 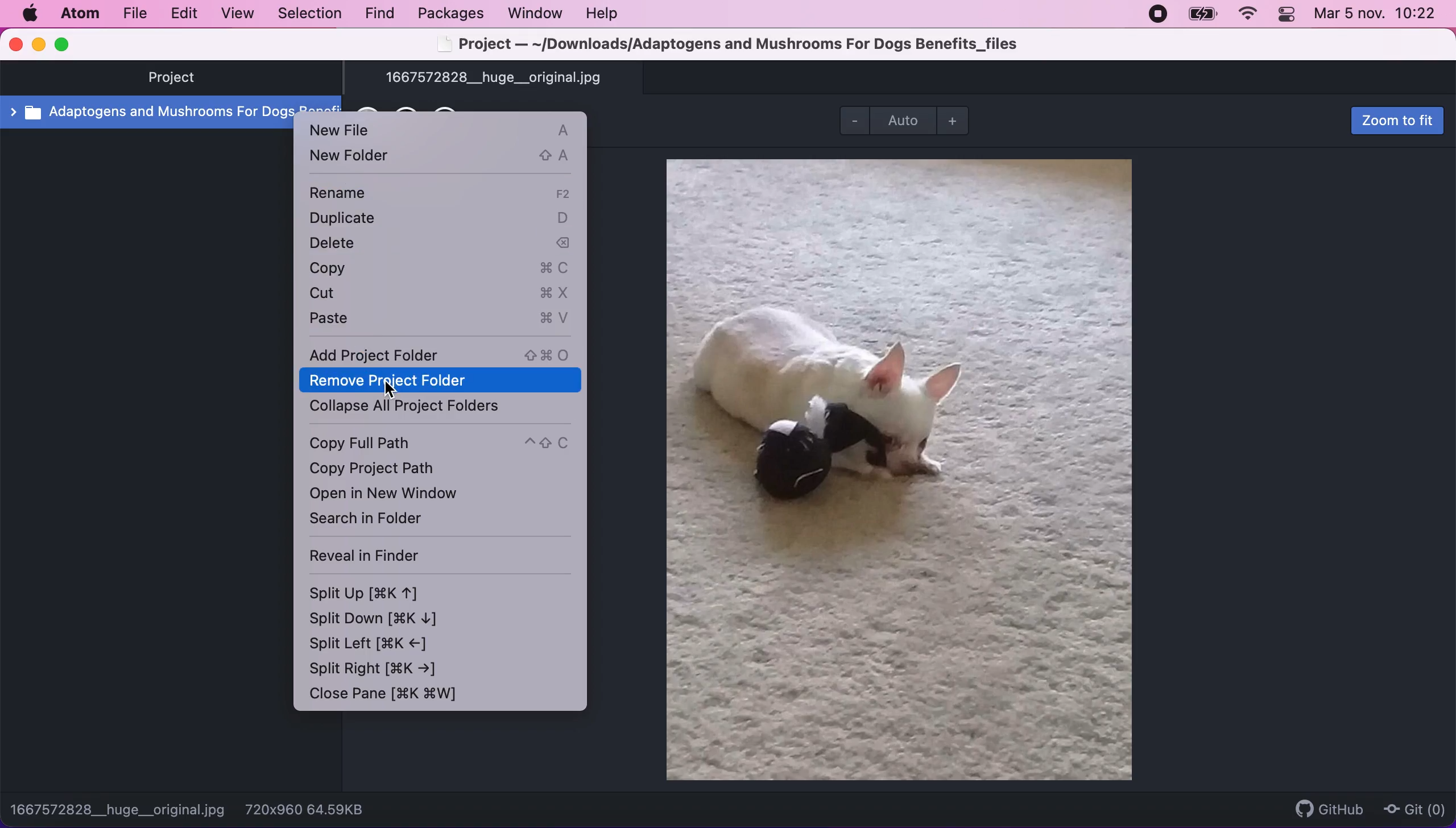 What do you see at coordinates (439, 193) in the screenshot?
I see `rename` at bounding box center [439, 193].